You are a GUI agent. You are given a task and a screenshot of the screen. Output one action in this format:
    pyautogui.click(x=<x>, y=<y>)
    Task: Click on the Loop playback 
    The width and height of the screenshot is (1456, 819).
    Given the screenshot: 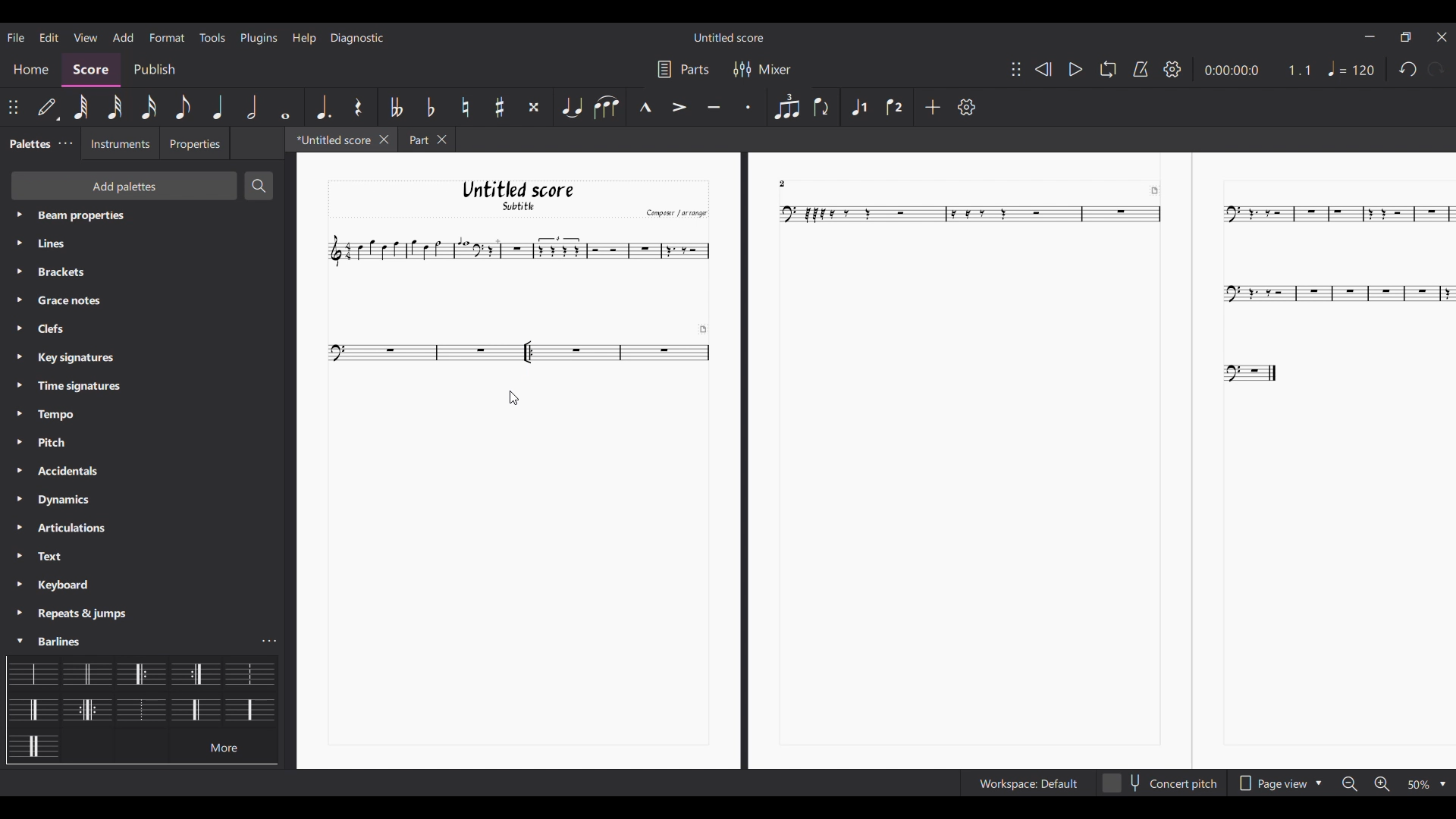 What is the action you would take?
    pyautogui.click(x=1109, y=69)
    